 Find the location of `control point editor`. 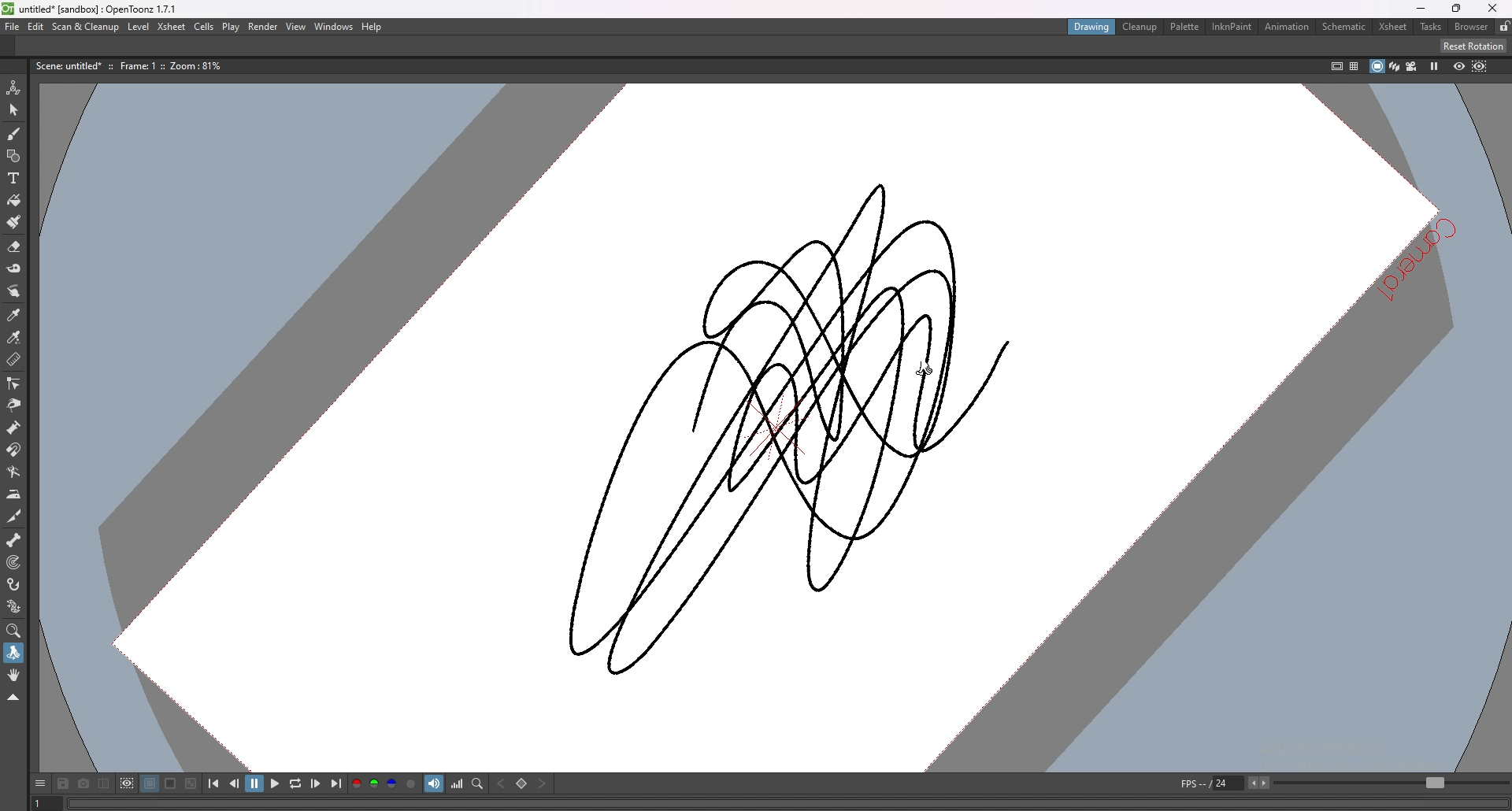

control point editor is located at coordinates (13, 383).